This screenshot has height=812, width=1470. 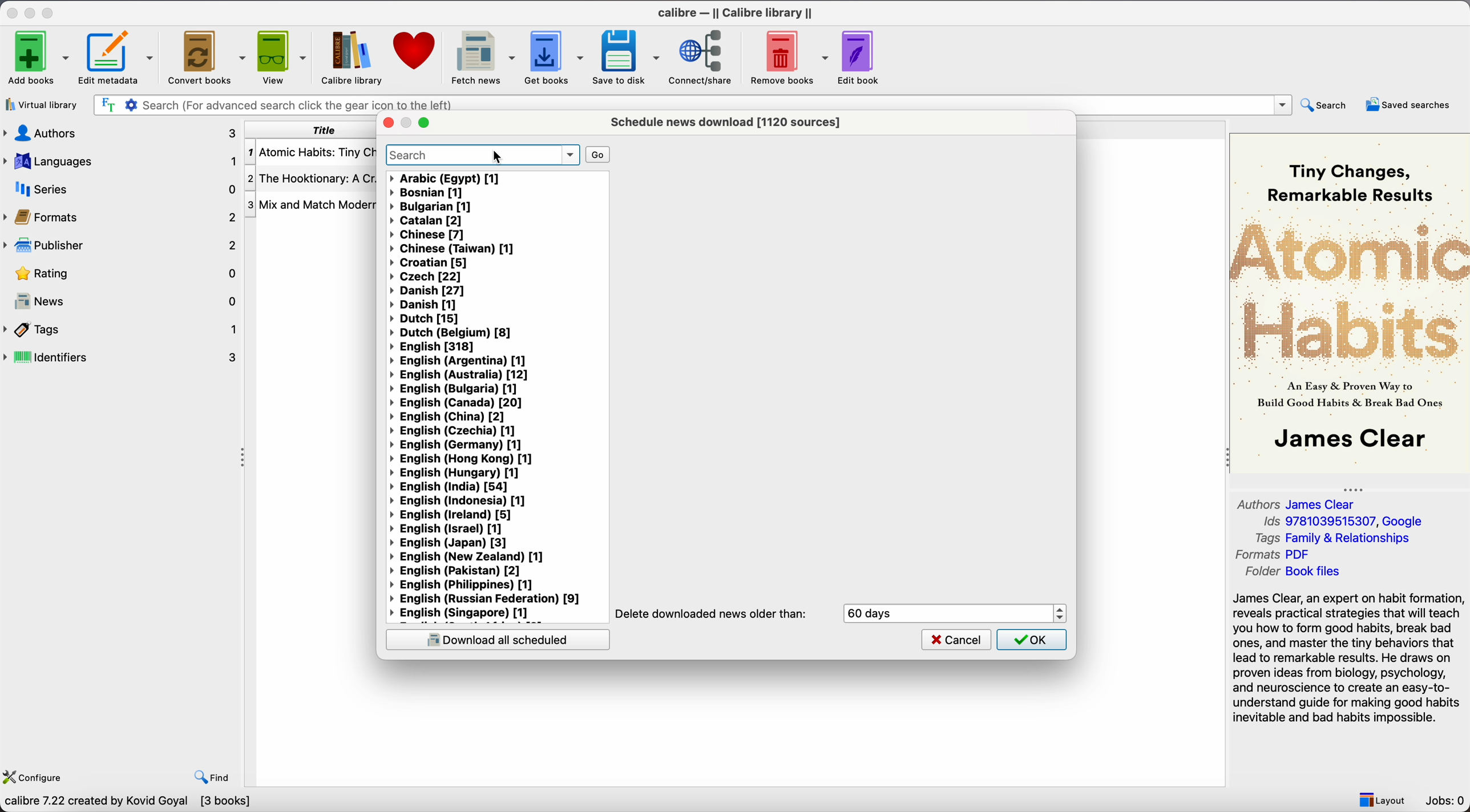 I want to click on English (Czechia) [1], so click(x=453, y=431).